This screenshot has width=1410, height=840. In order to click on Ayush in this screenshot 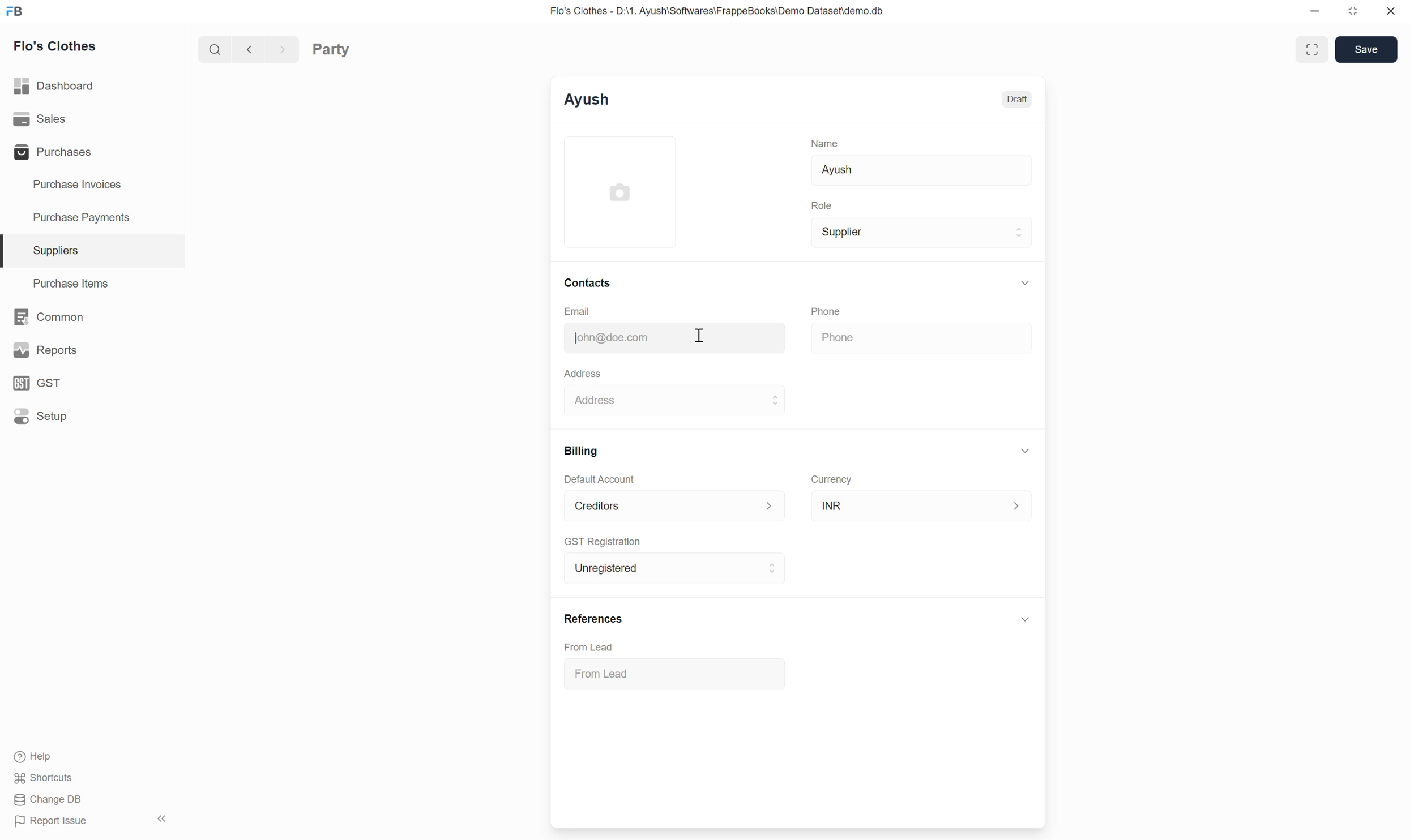, I will do `click(921, 170)`.